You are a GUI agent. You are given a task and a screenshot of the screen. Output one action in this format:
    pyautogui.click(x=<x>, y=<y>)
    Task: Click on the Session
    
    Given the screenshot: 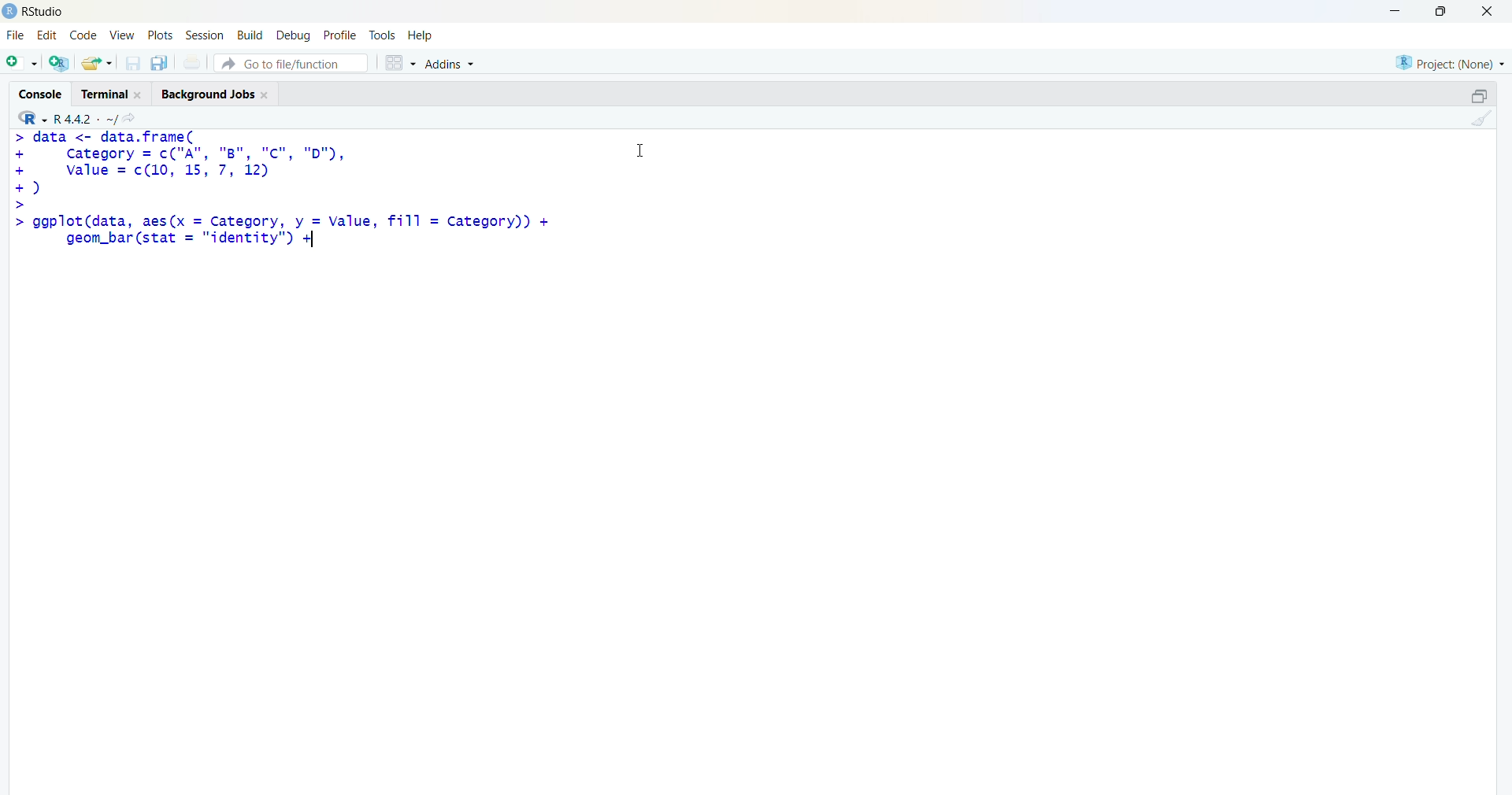 What is the action you would take?
    pyautogui.click(x=205, y=35)
    